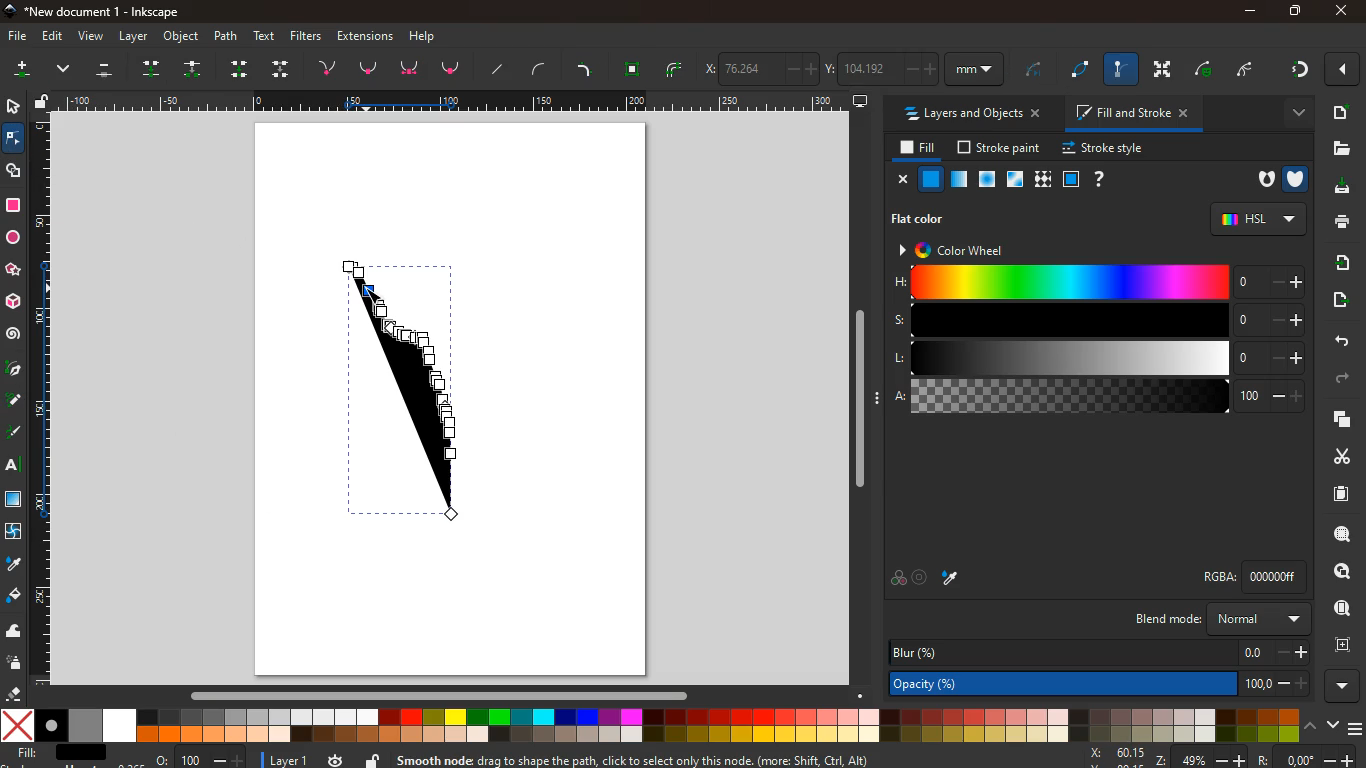 The image size is (1366, 768). Describe the element at coordinates (1343, 381) in the screenshot. I see `forward` at that location.